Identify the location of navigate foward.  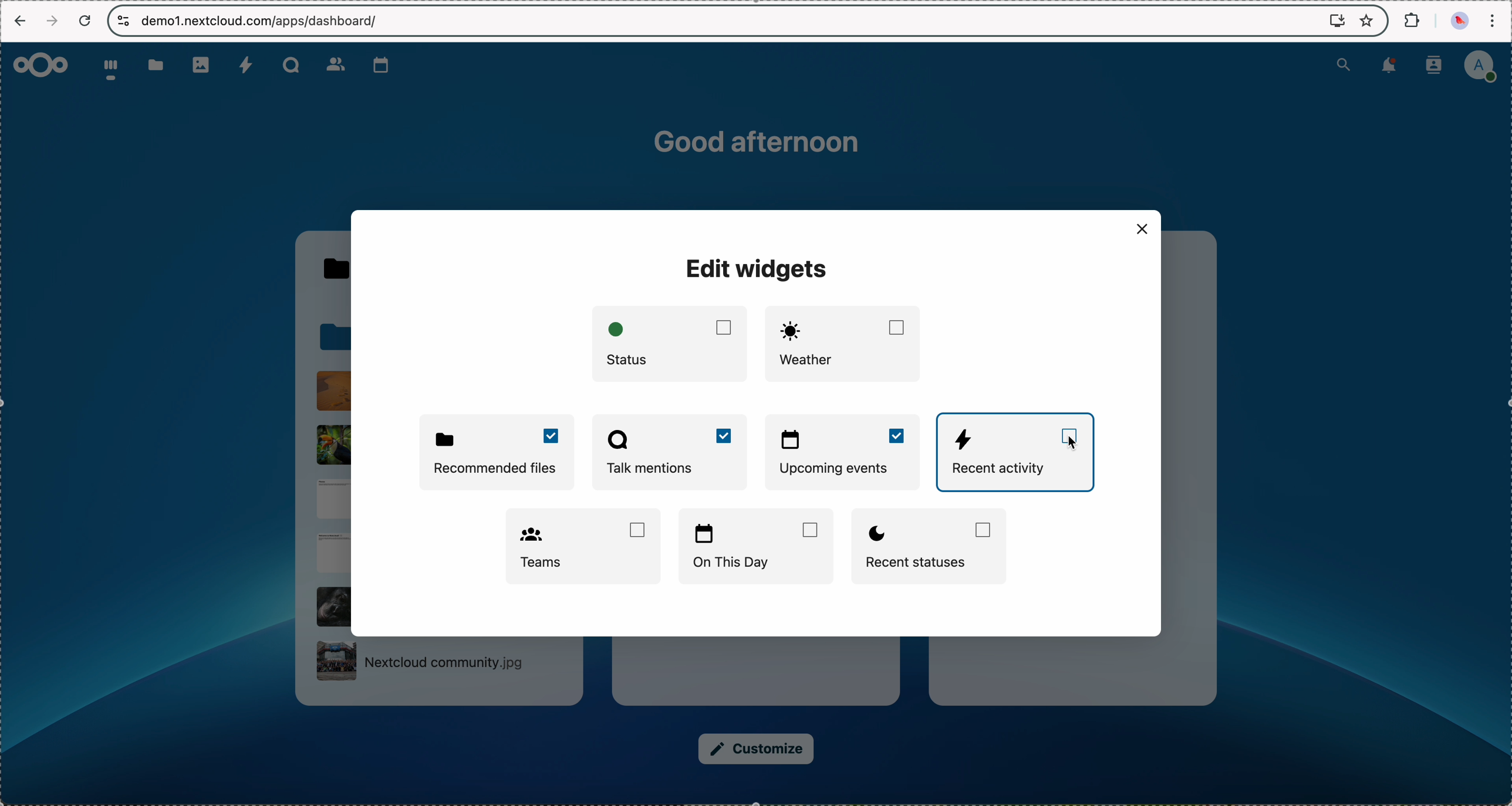
(55, 20).